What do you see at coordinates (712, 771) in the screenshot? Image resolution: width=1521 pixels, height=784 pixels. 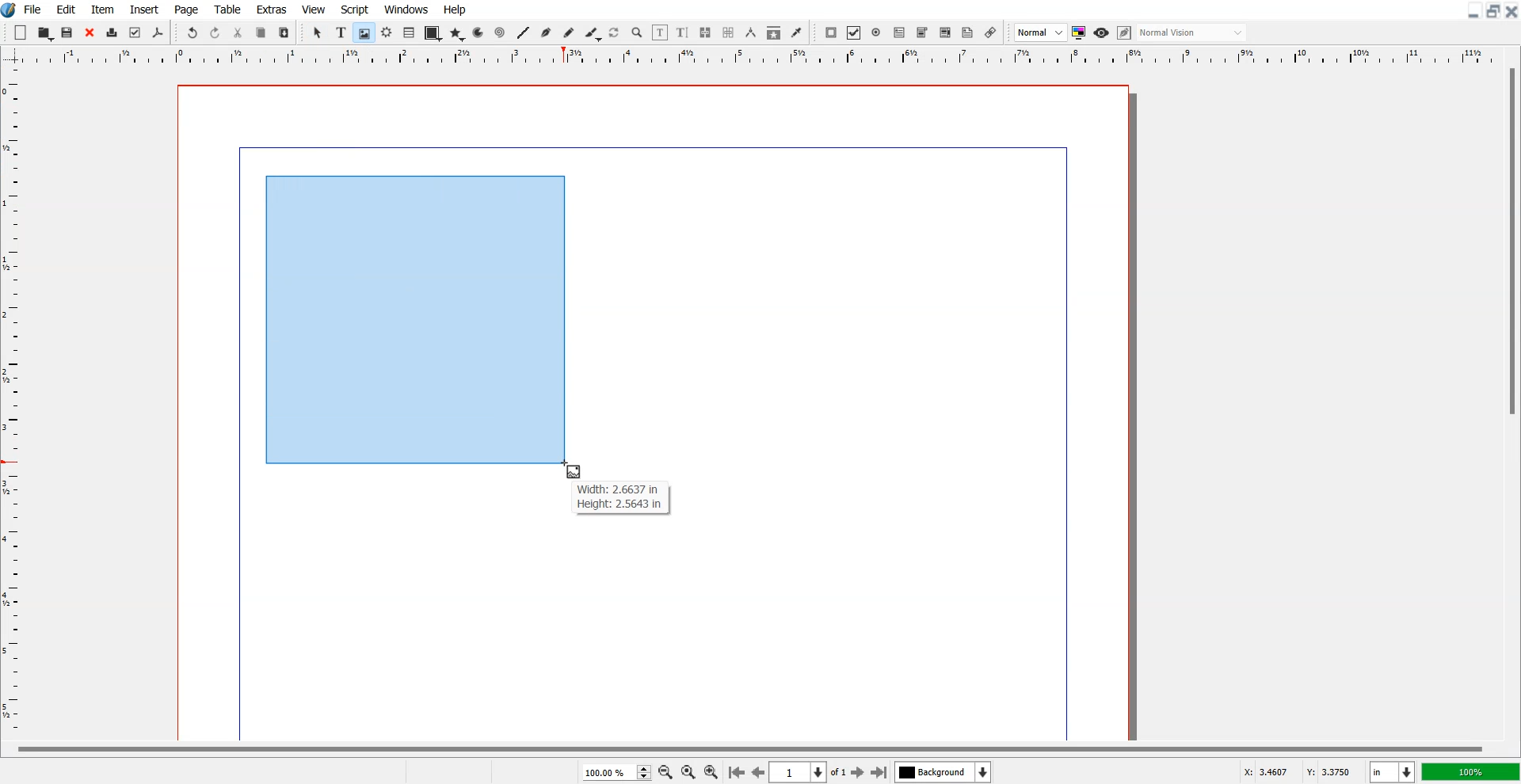 I see `Zoom In` at bounding box center [712, 771].